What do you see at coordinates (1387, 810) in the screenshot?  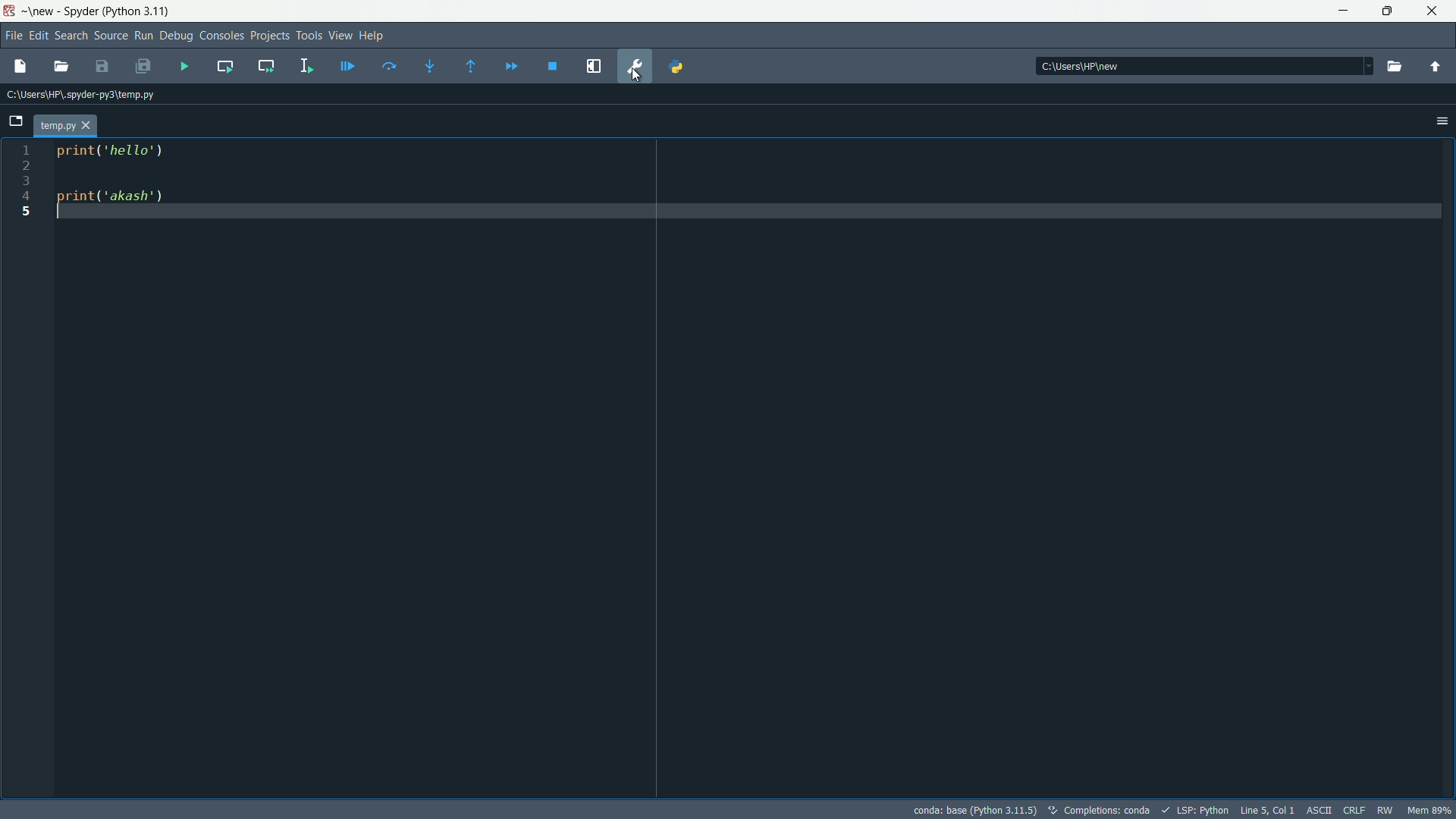 I see `rw` at bounding box center [1387, 810].